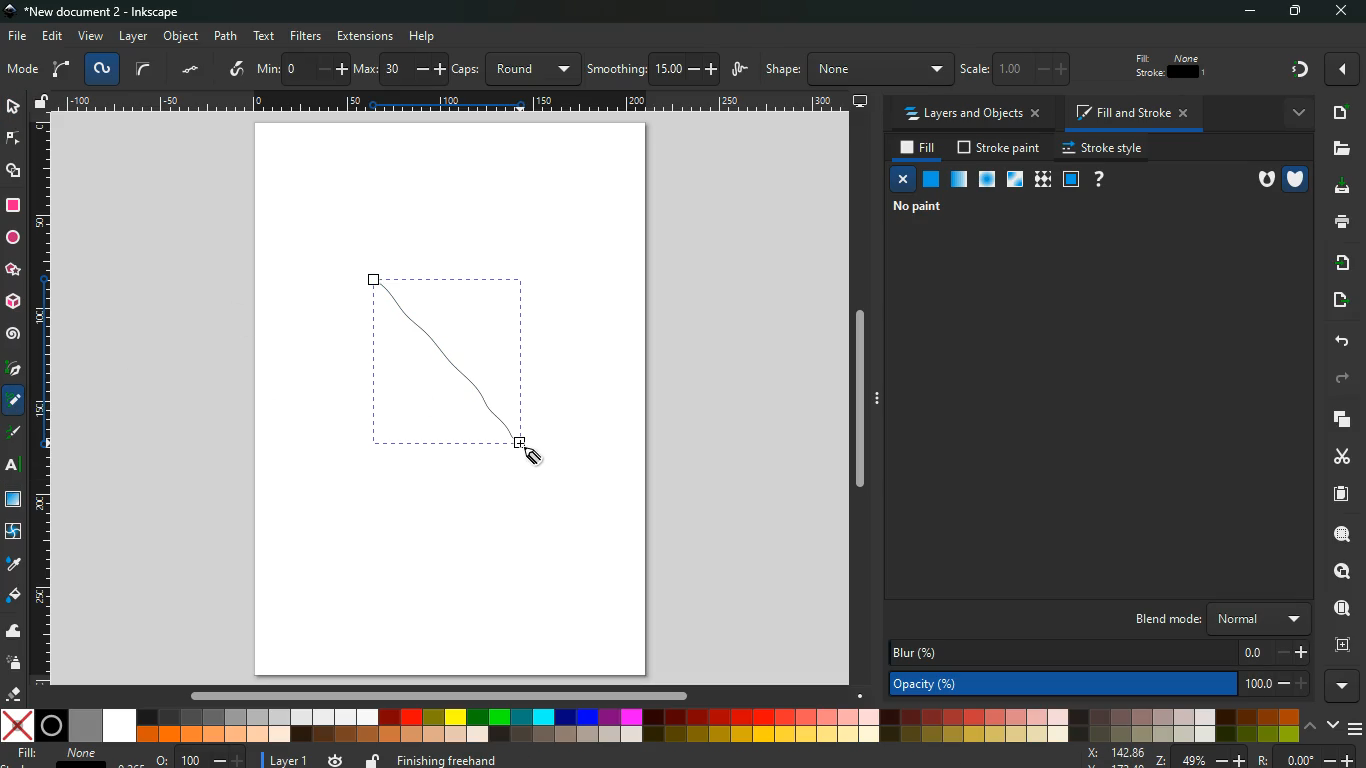 This screenshot has height=768, width=1366. What do you see at coordinates (528, 452) in the screenshot?
I see `Cursor` at bounding box center [528, 452].